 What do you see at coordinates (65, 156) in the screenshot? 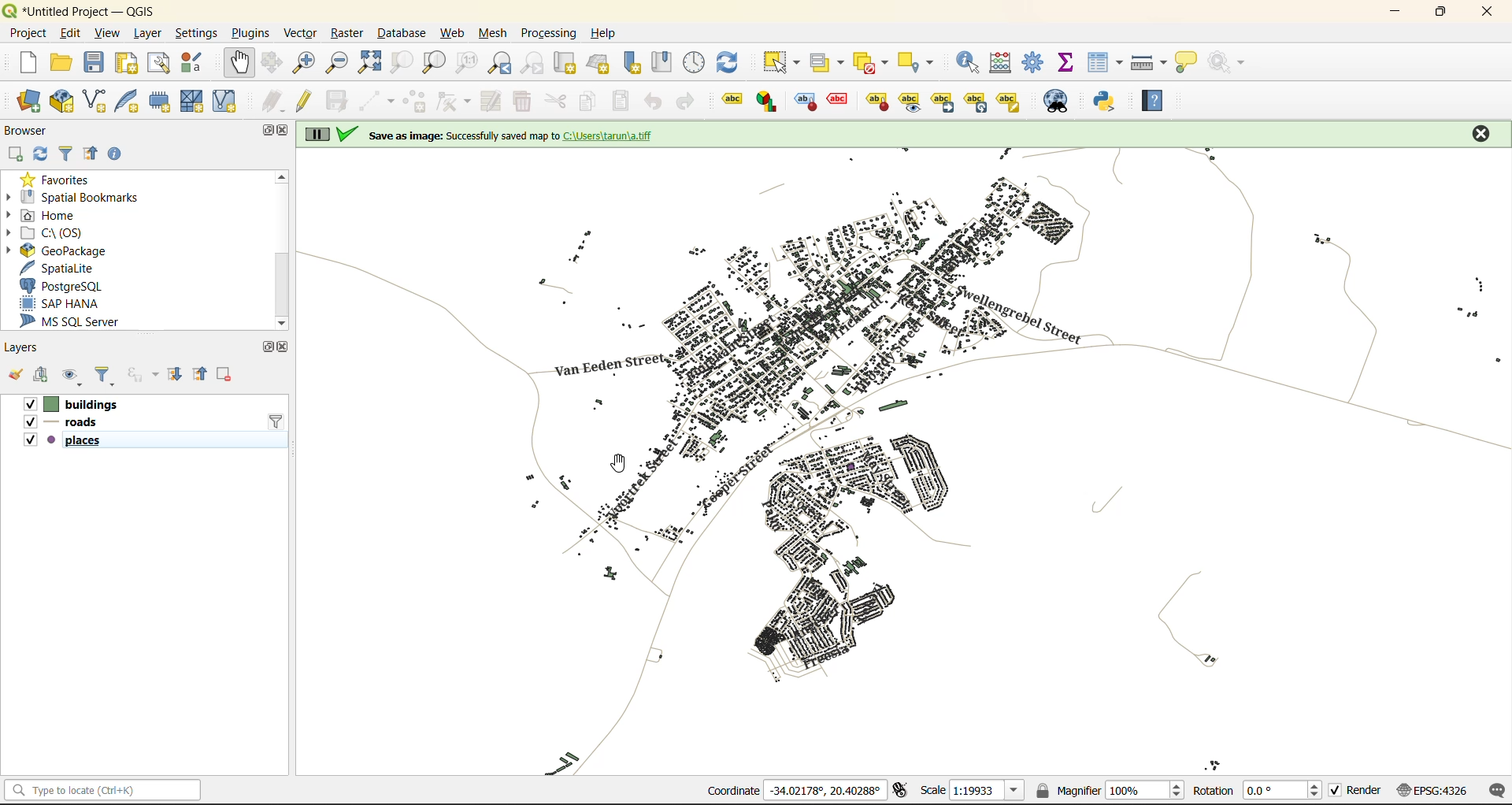
I see `filter` at bounding box center [65, 156].